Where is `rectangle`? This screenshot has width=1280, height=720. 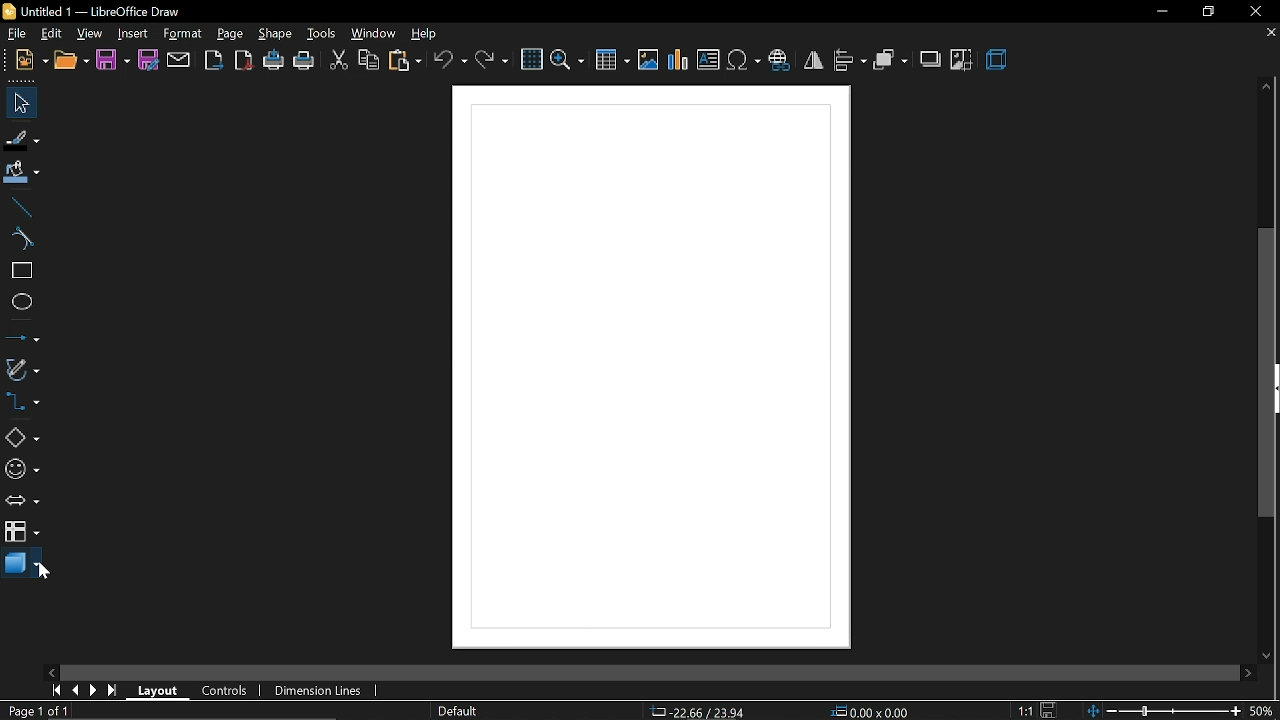
rectangle is located at coordinates (19, 270).